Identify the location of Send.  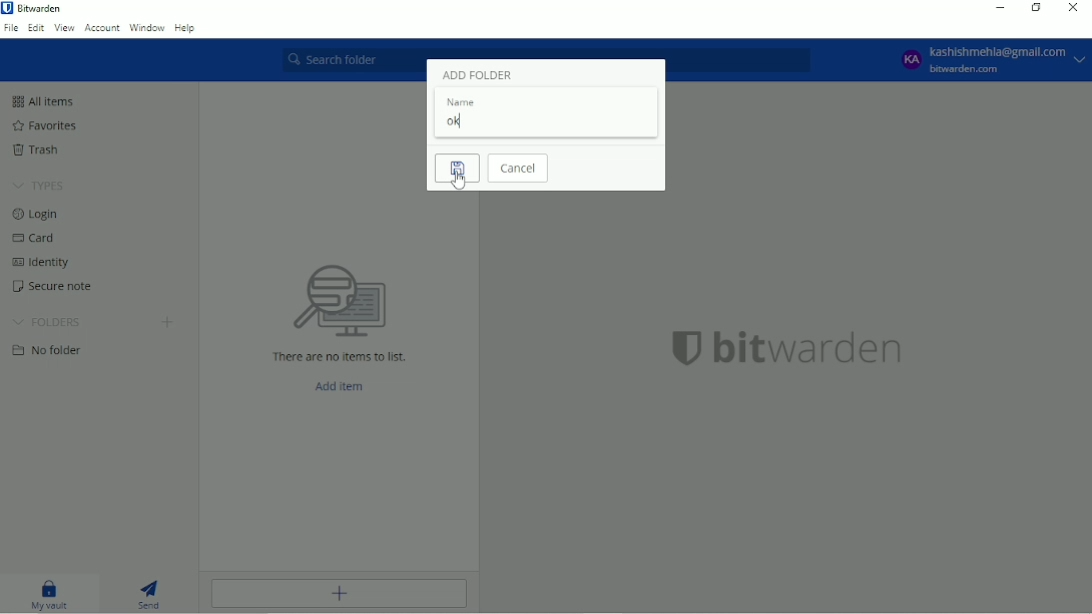
(154, 594).